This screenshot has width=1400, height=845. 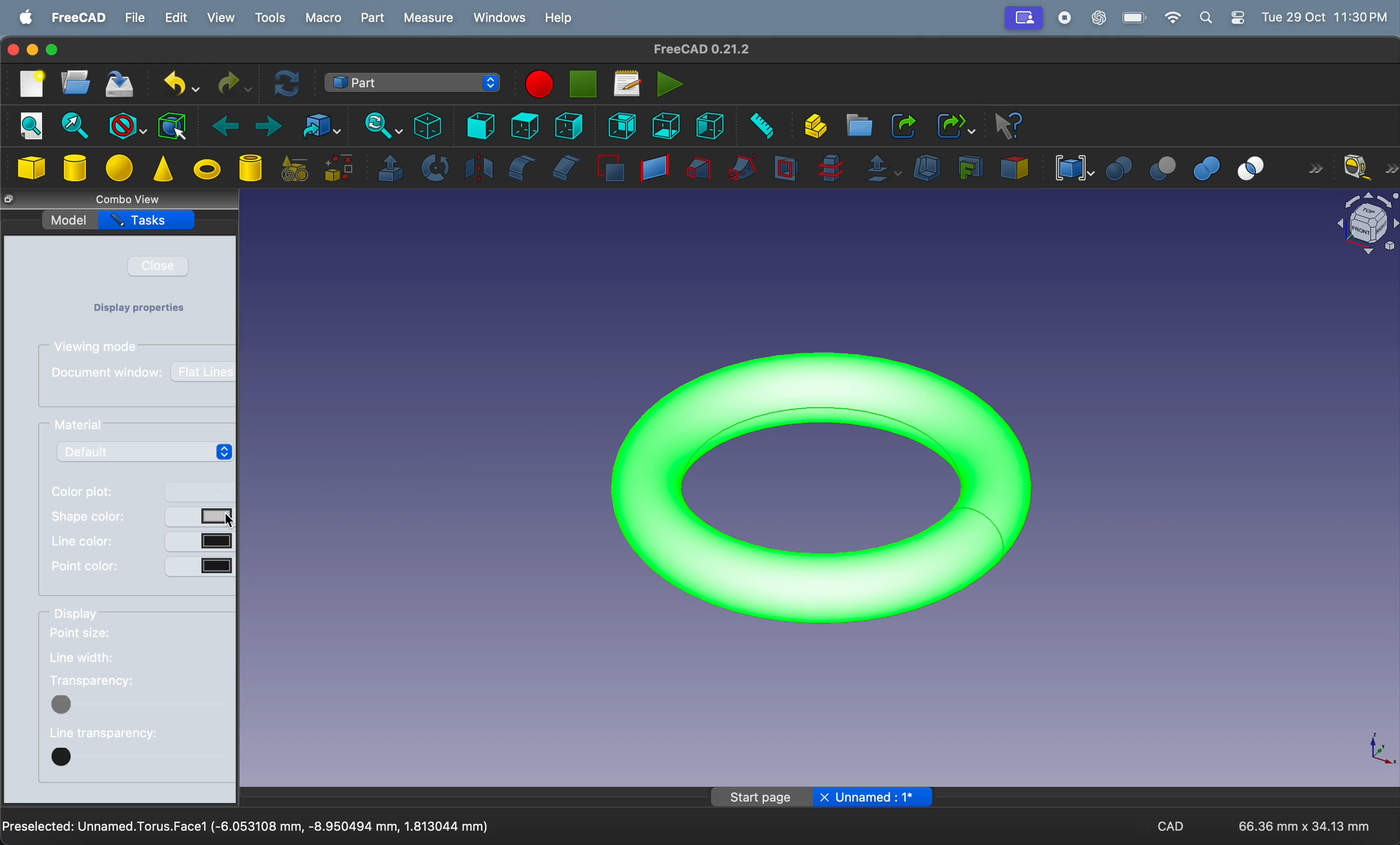 I want to click on cross section, so click(x=830, y=169).